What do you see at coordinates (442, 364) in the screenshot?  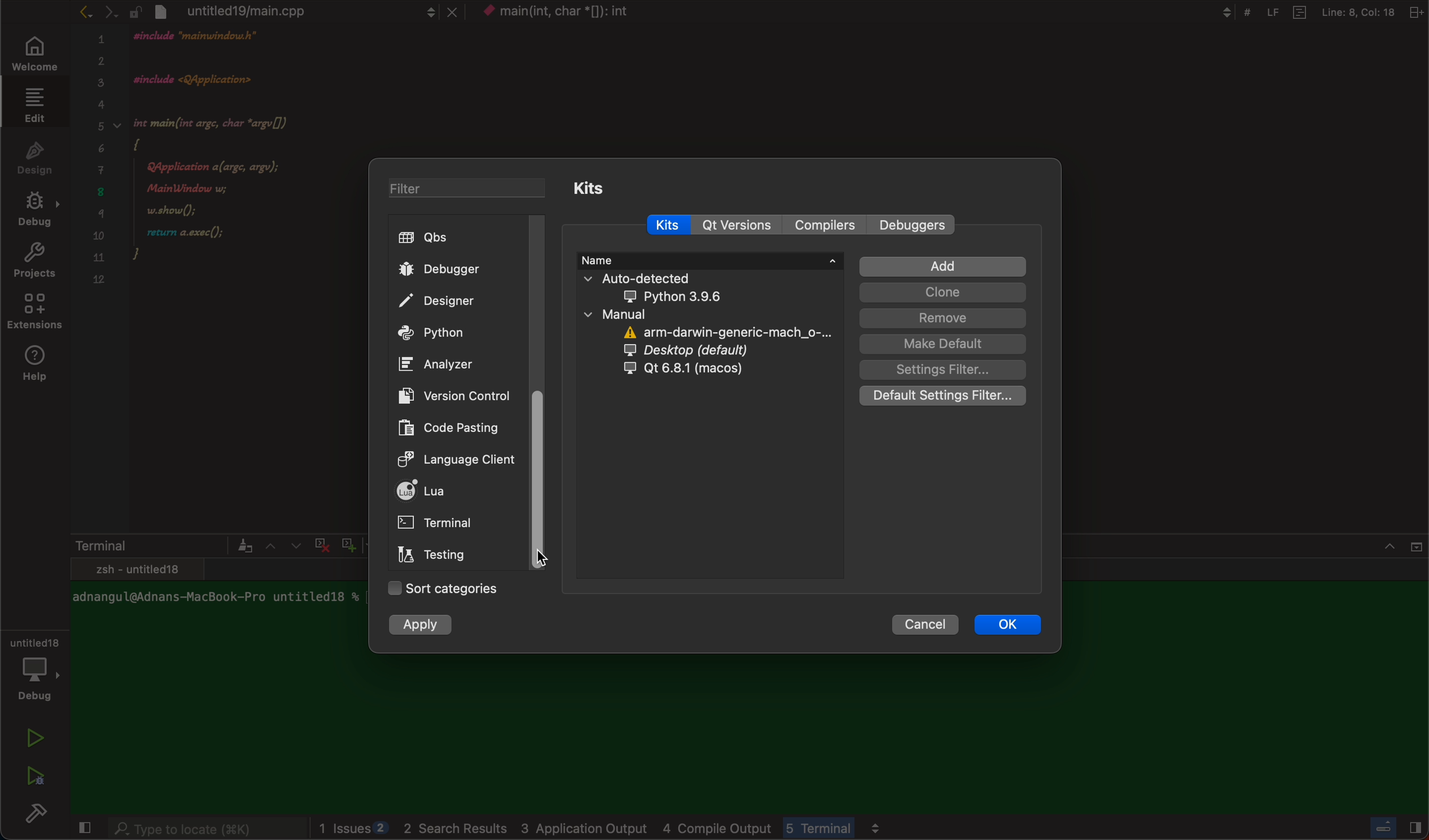 I see `analyzer` at bounding box center [442, 364].